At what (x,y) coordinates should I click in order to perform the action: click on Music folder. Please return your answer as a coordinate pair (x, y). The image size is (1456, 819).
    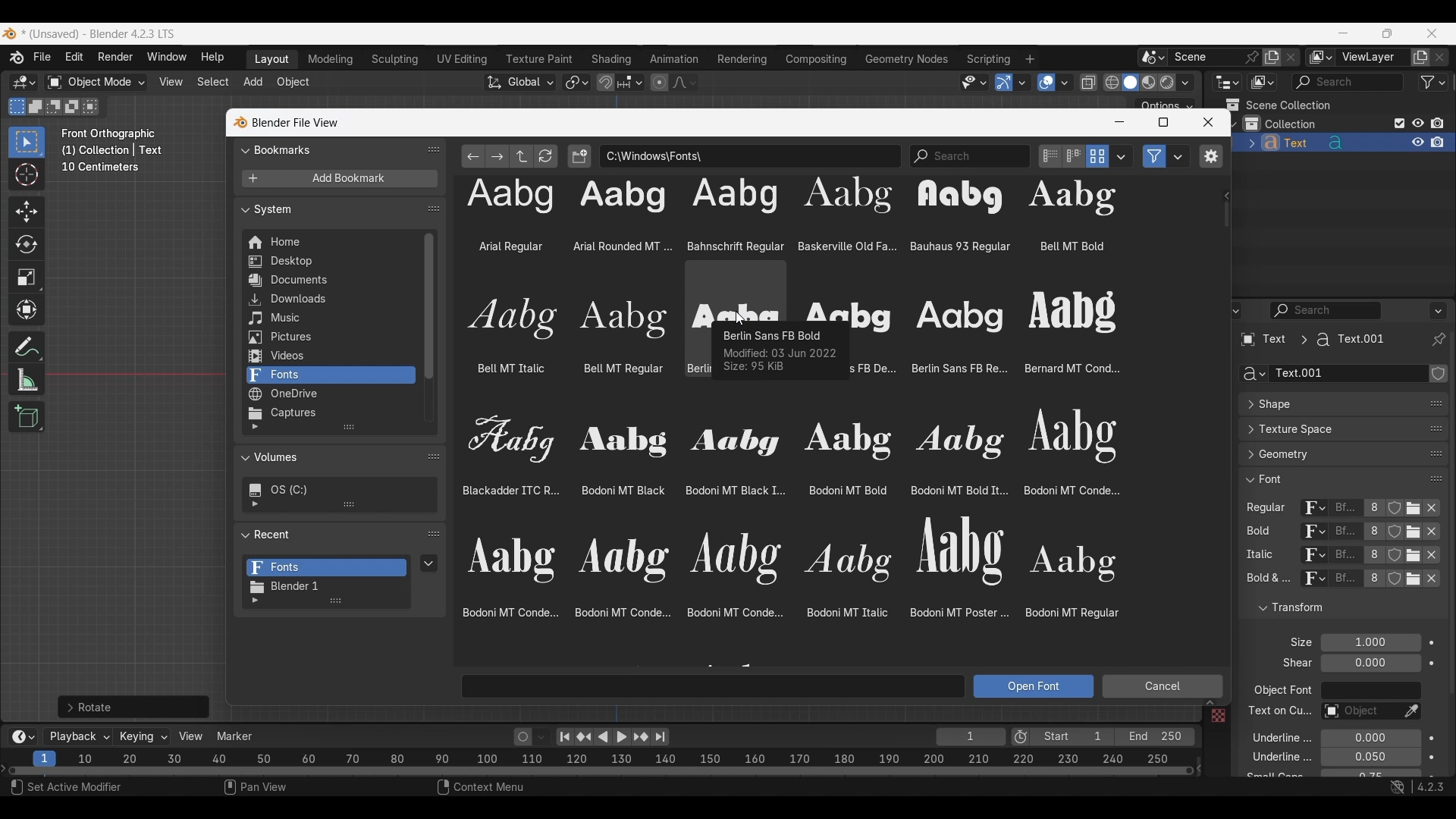
    Looking at the image, I should click on (328, 318).